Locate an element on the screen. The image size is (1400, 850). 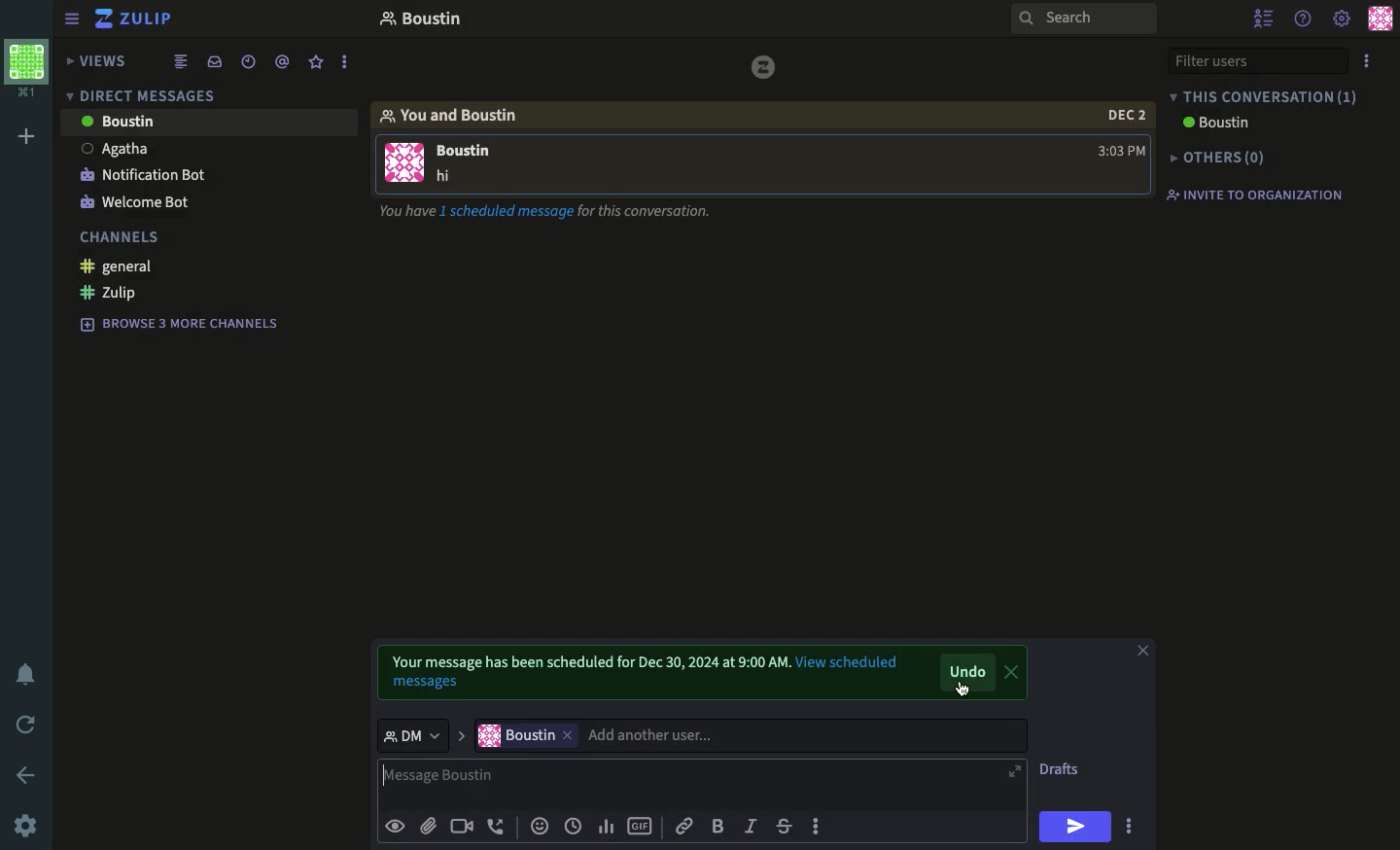
channels is located at coordinates (120, 240).